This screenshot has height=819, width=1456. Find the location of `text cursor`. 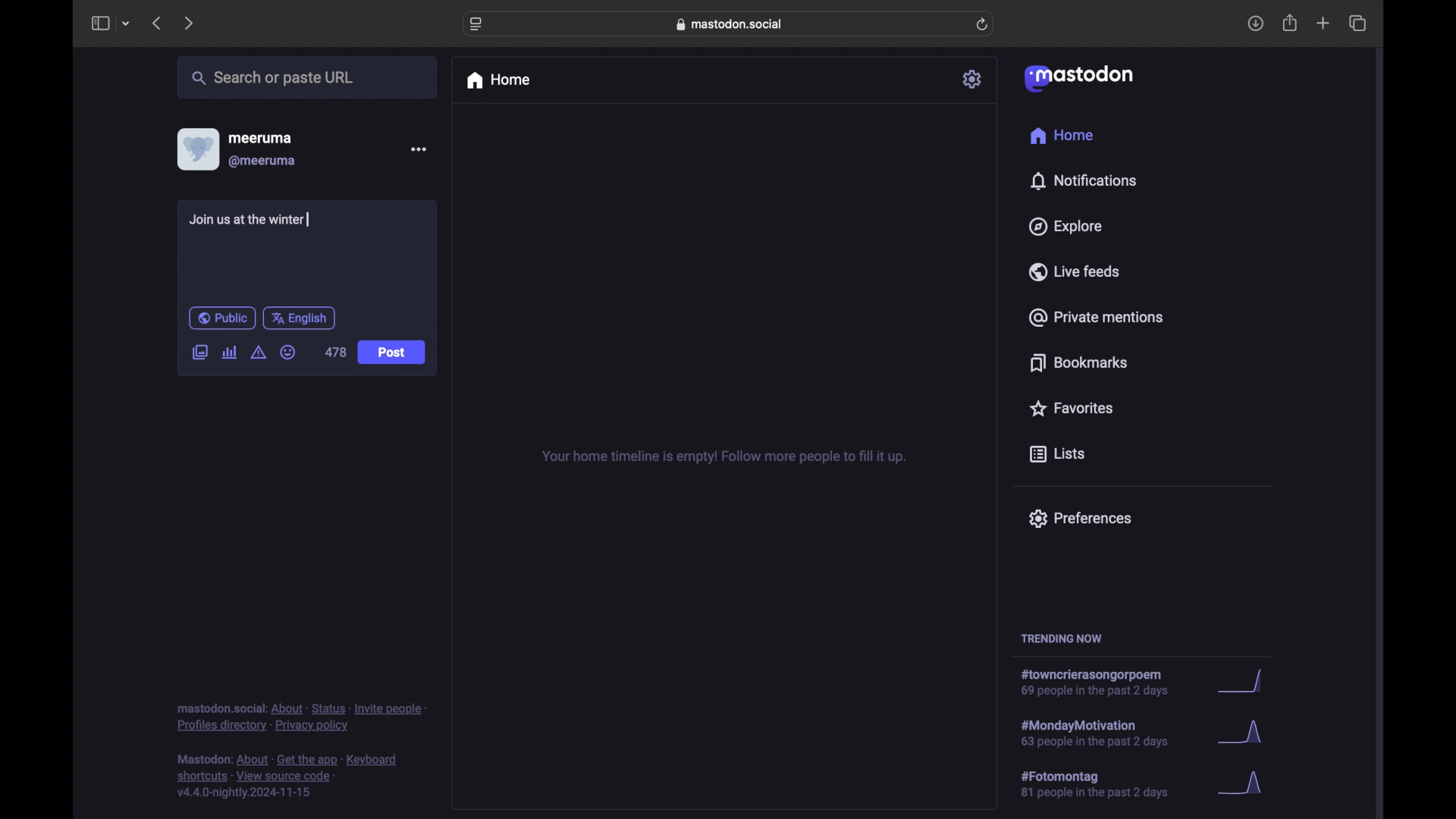

text cursor is located at coordinates (308, 219).